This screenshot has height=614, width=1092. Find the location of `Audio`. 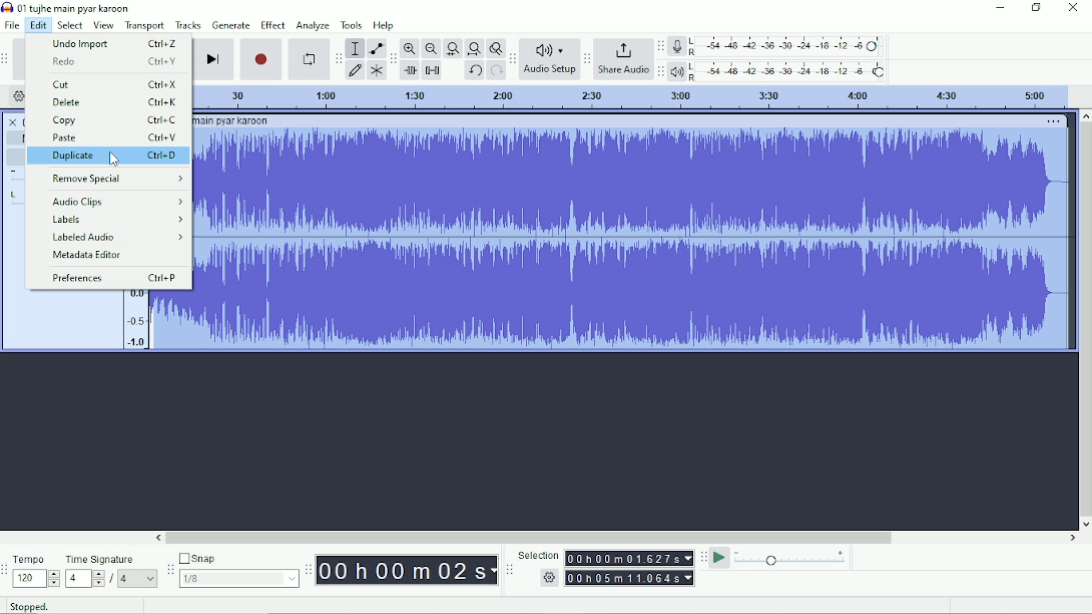

Audio is located at coordinates (633, 238).